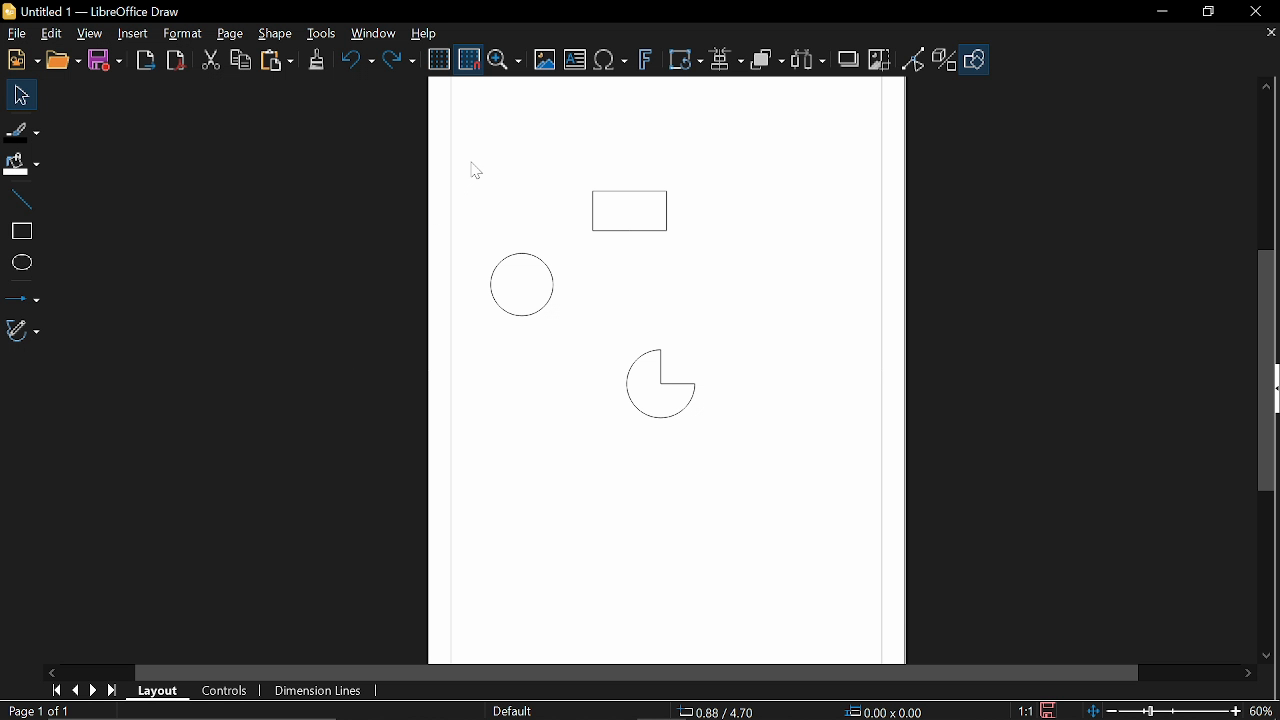 This screenshot has height=720, width=1280. What do you see at coordinates (146, 59) in the screenshot?
I see `Export` at bounding box center [146, 59].